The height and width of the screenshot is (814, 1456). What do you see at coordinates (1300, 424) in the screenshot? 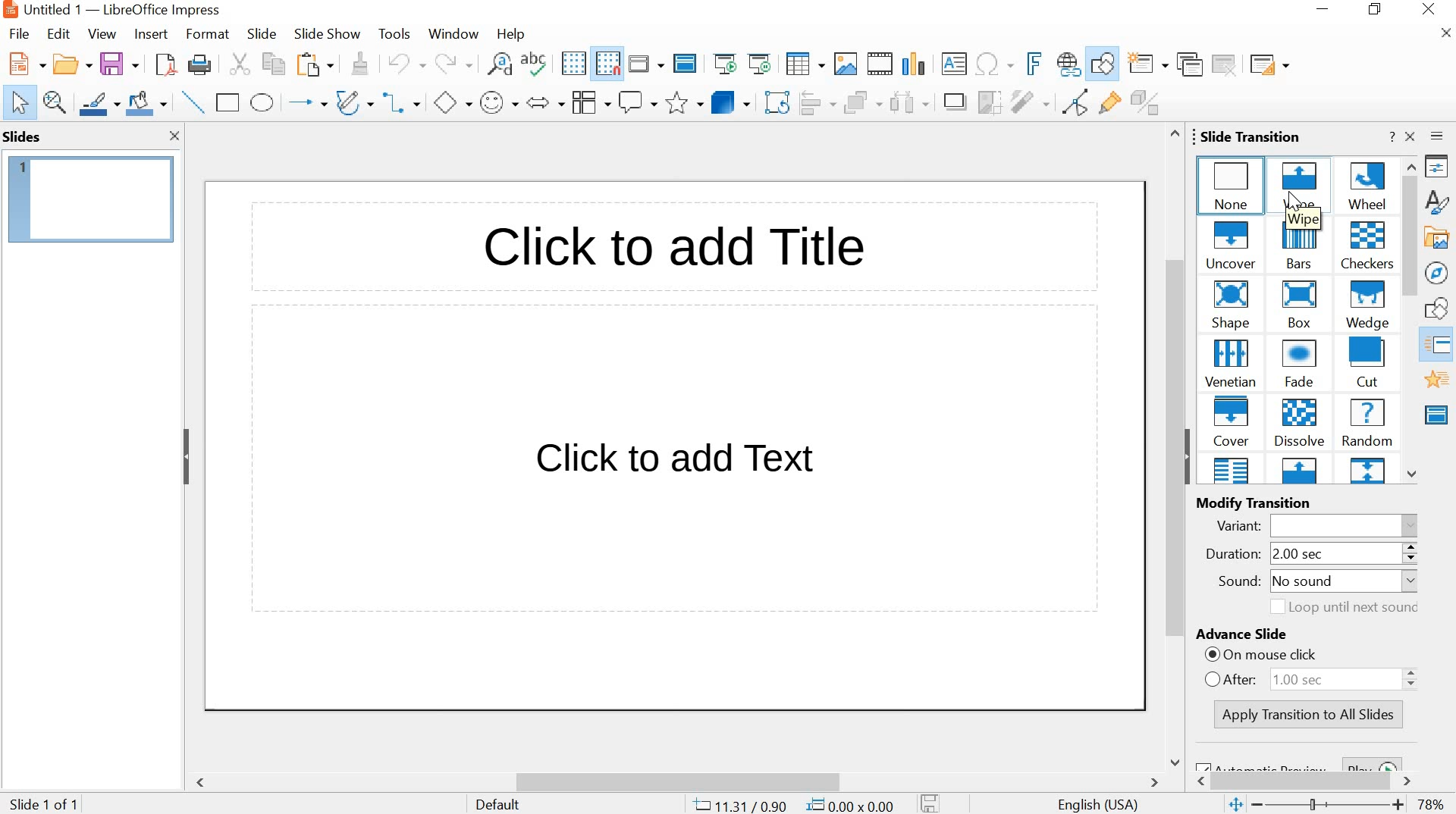
I see `DISSOLVE` at bounding box center [1300, 424].